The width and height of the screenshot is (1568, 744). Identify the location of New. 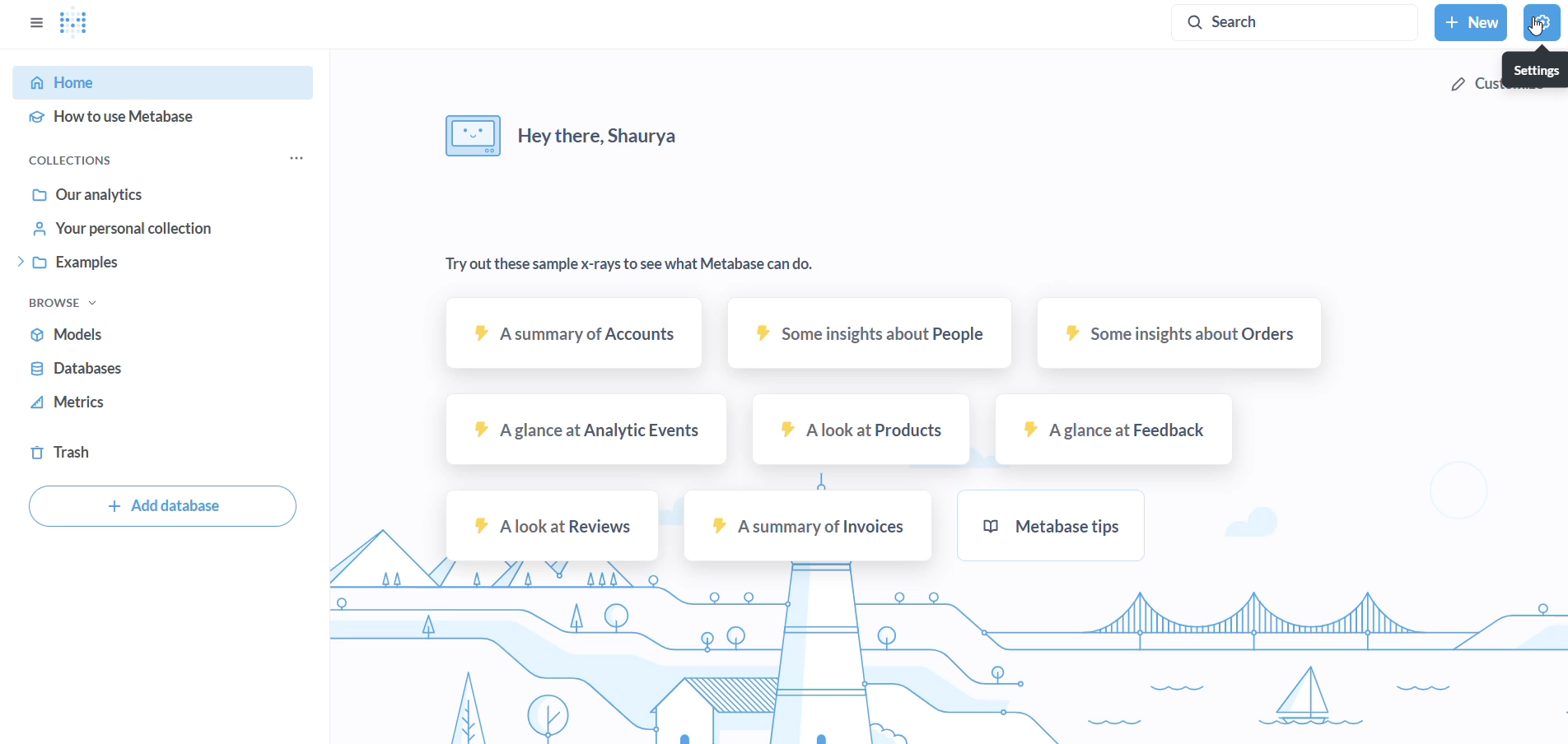
(1473, 22).